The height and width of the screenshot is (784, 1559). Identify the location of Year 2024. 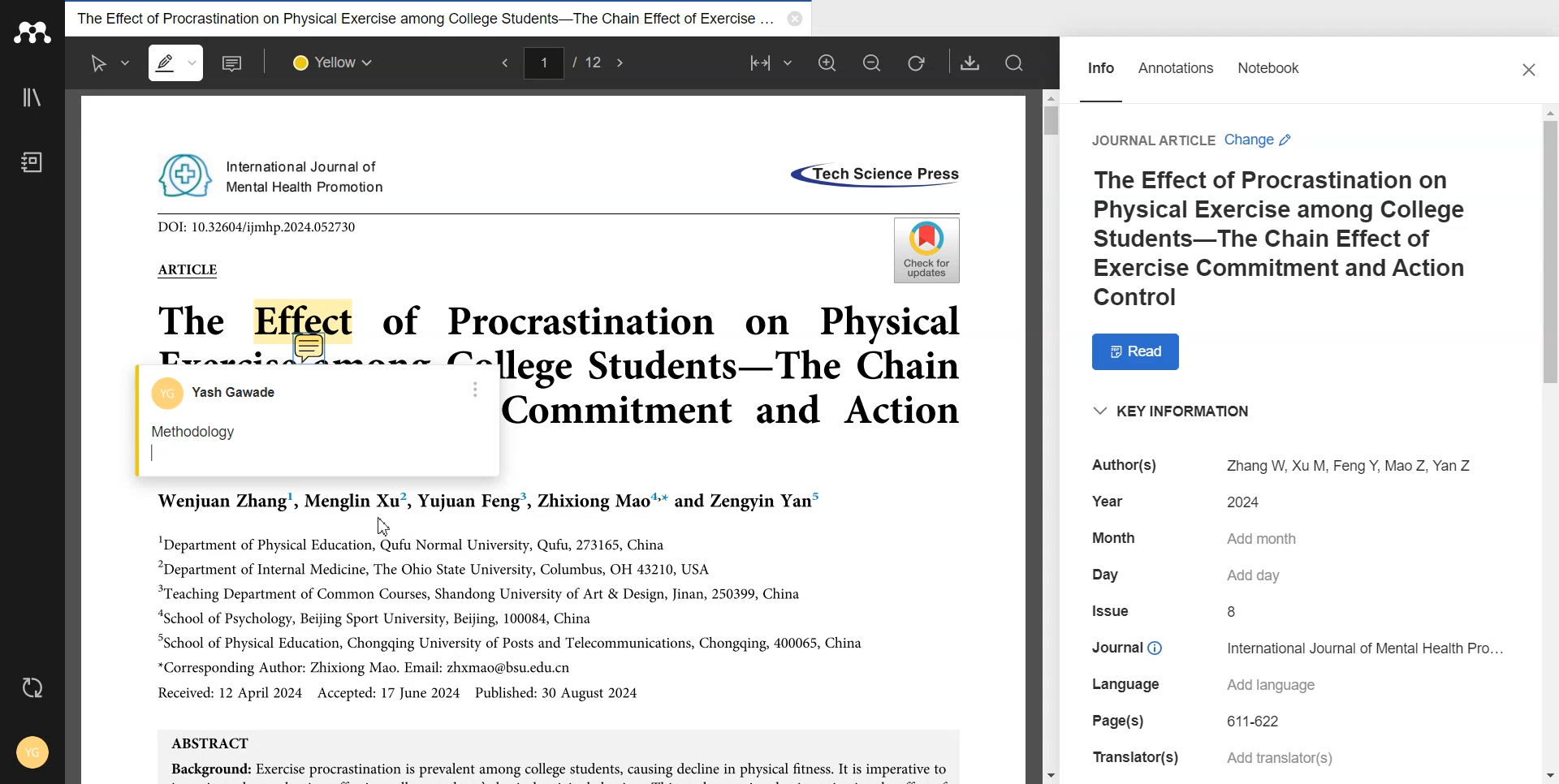
(1187, 501).